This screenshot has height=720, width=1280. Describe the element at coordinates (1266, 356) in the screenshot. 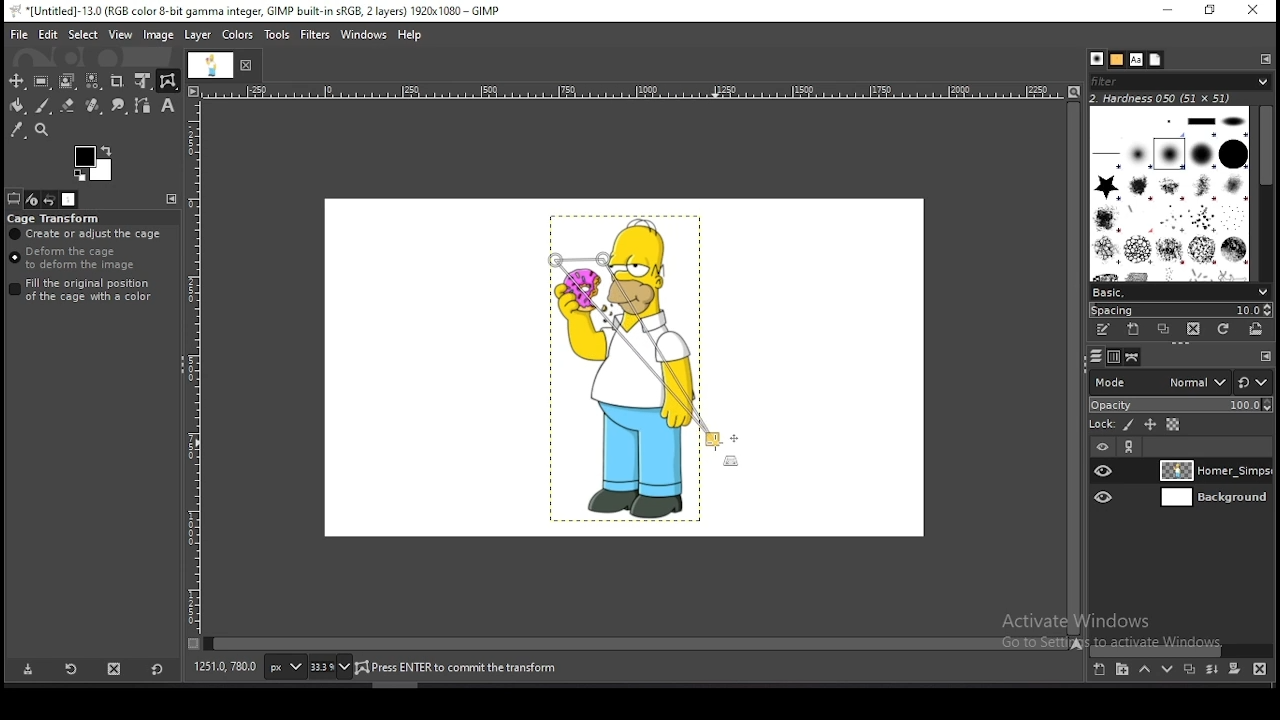

I see `configure this tab` at that location.